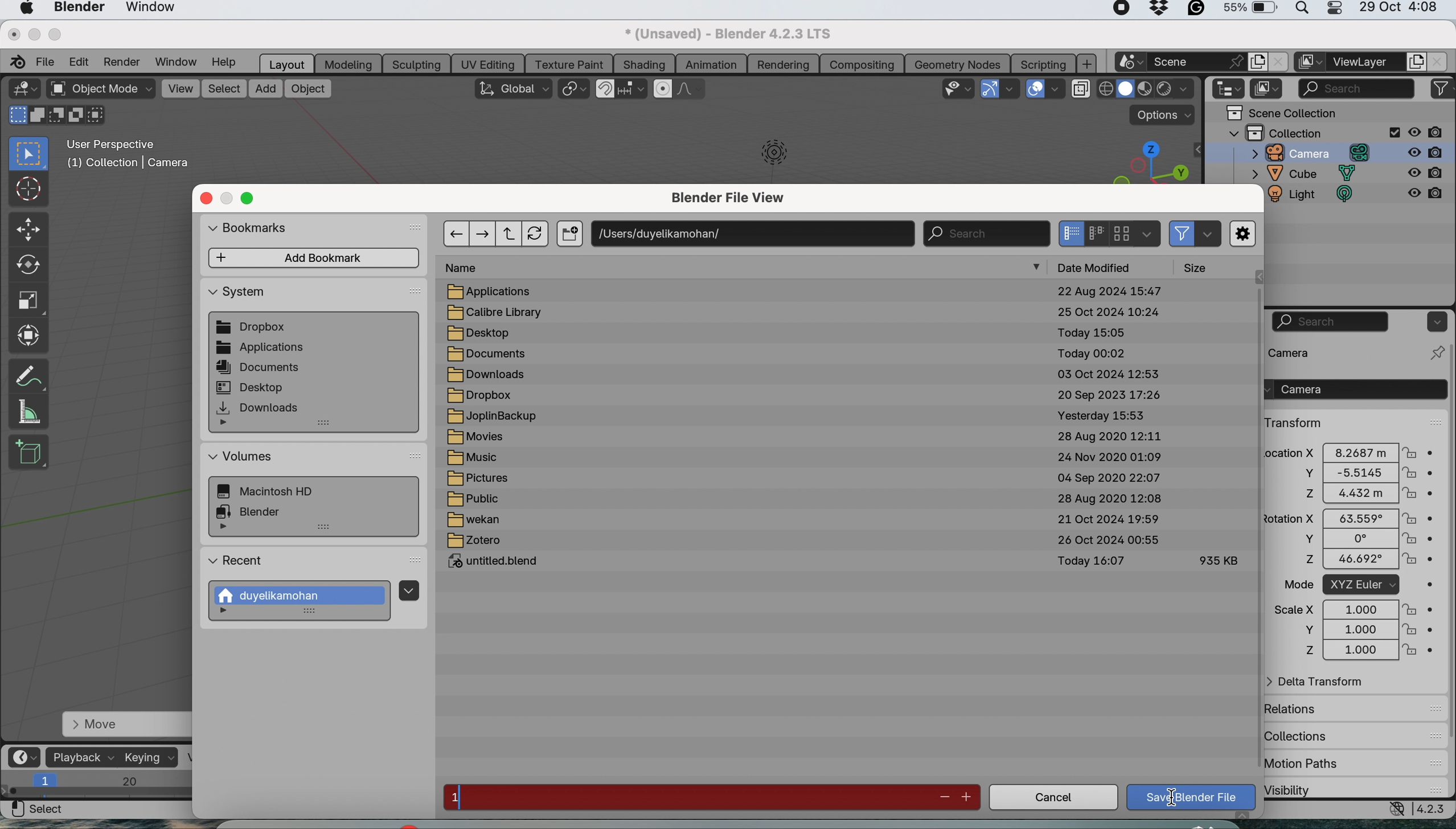  What do you see at coordinates (1036, 89) in the screenshot?
I see `show overlays` at bounding box center [1036, 89].